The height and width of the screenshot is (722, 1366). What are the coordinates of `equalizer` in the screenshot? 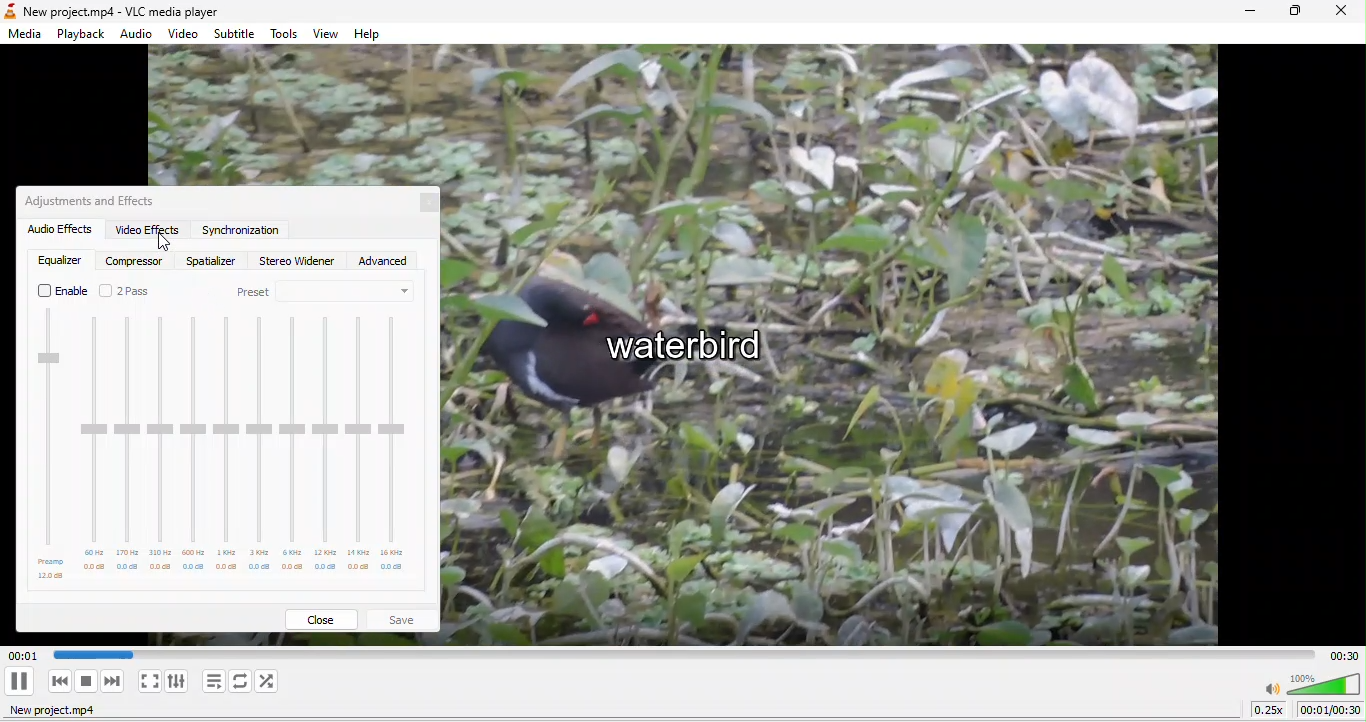 It's located at (60, 262).